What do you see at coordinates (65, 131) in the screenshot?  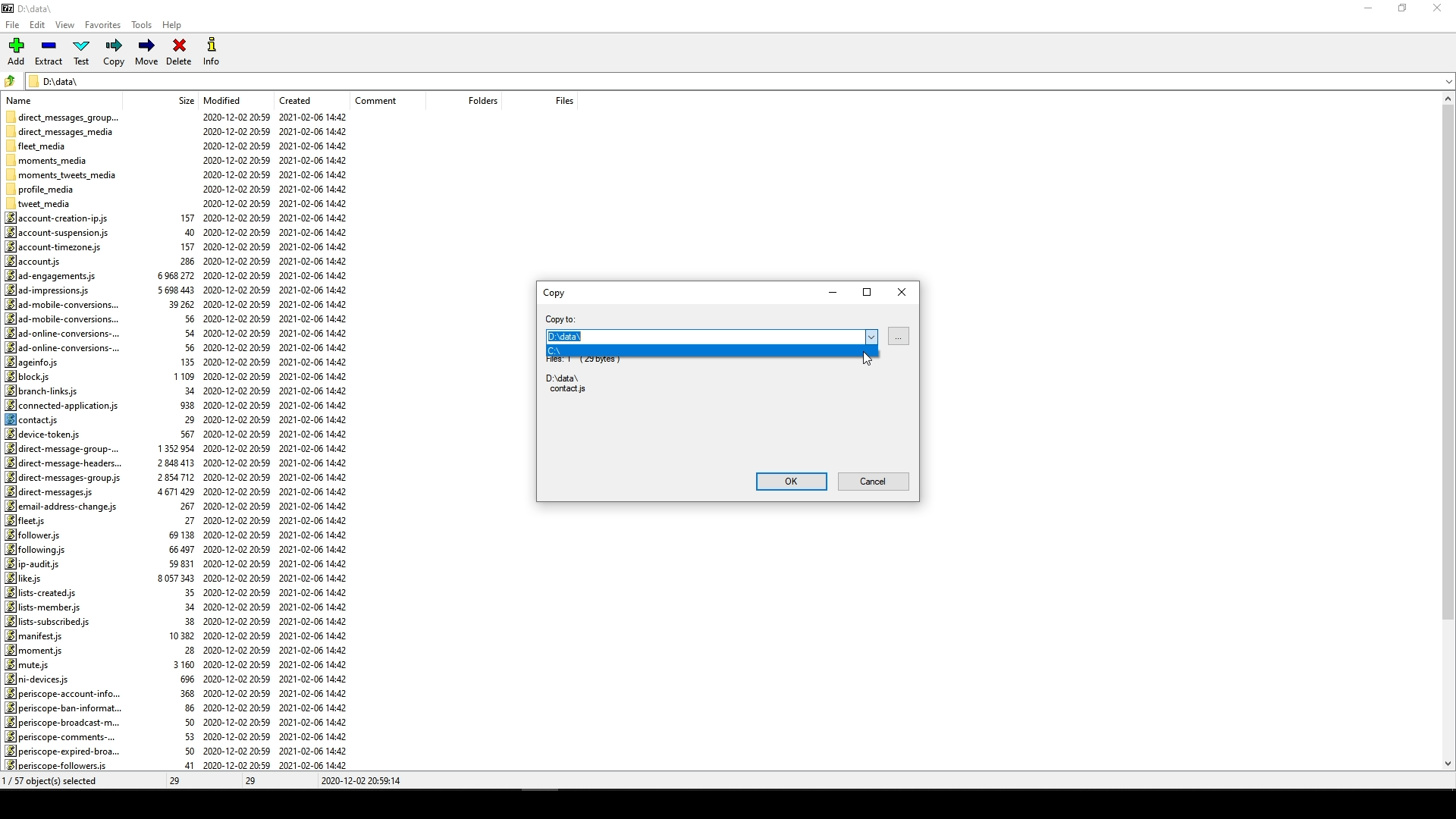 I see `direct_messages_media` at bounding box center [65, 131].